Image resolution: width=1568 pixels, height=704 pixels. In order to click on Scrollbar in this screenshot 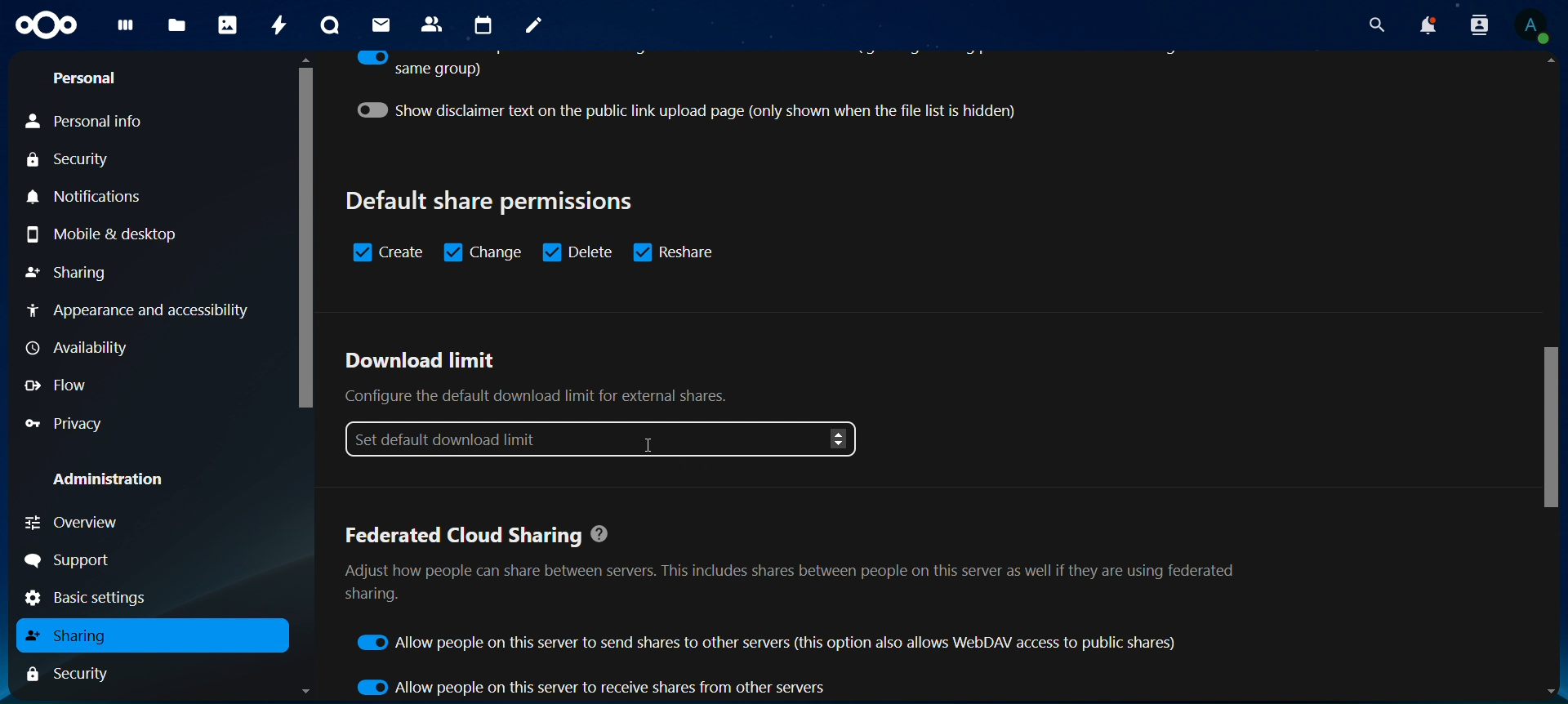, I will do `click(1552, 377)`.